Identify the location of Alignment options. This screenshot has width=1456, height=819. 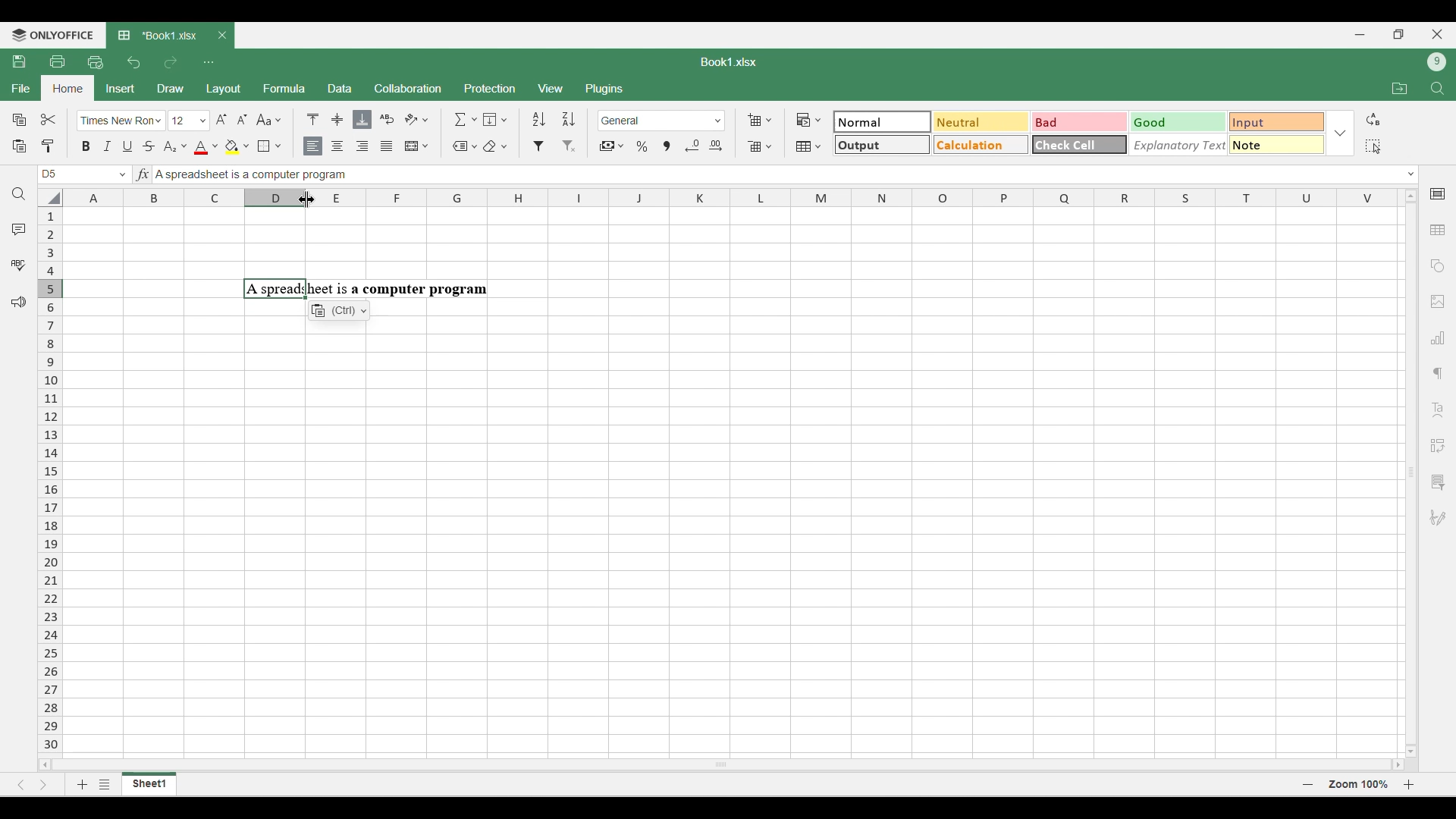
(350, 147).